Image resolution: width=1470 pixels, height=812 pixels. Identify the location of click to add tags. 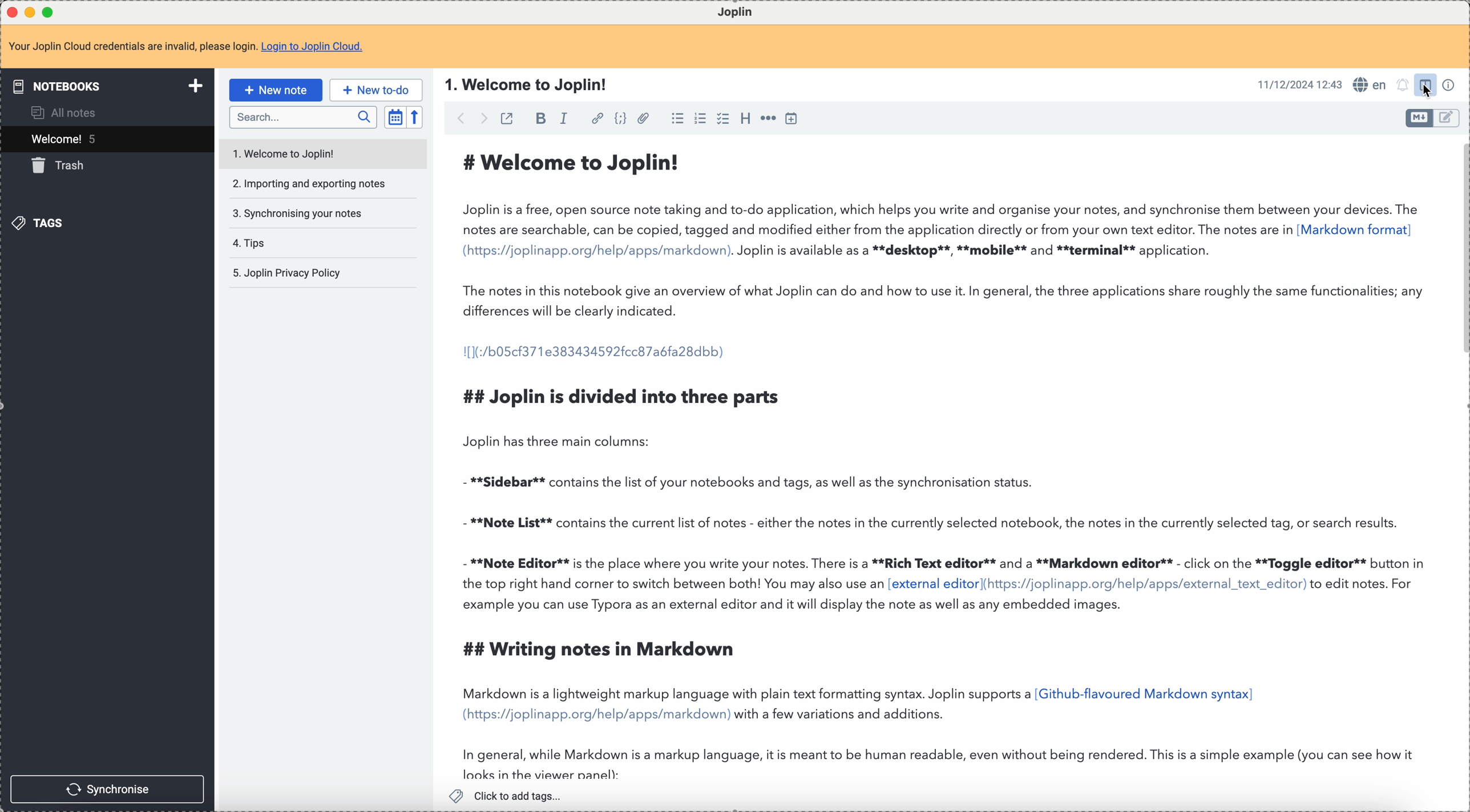
(509, 796).